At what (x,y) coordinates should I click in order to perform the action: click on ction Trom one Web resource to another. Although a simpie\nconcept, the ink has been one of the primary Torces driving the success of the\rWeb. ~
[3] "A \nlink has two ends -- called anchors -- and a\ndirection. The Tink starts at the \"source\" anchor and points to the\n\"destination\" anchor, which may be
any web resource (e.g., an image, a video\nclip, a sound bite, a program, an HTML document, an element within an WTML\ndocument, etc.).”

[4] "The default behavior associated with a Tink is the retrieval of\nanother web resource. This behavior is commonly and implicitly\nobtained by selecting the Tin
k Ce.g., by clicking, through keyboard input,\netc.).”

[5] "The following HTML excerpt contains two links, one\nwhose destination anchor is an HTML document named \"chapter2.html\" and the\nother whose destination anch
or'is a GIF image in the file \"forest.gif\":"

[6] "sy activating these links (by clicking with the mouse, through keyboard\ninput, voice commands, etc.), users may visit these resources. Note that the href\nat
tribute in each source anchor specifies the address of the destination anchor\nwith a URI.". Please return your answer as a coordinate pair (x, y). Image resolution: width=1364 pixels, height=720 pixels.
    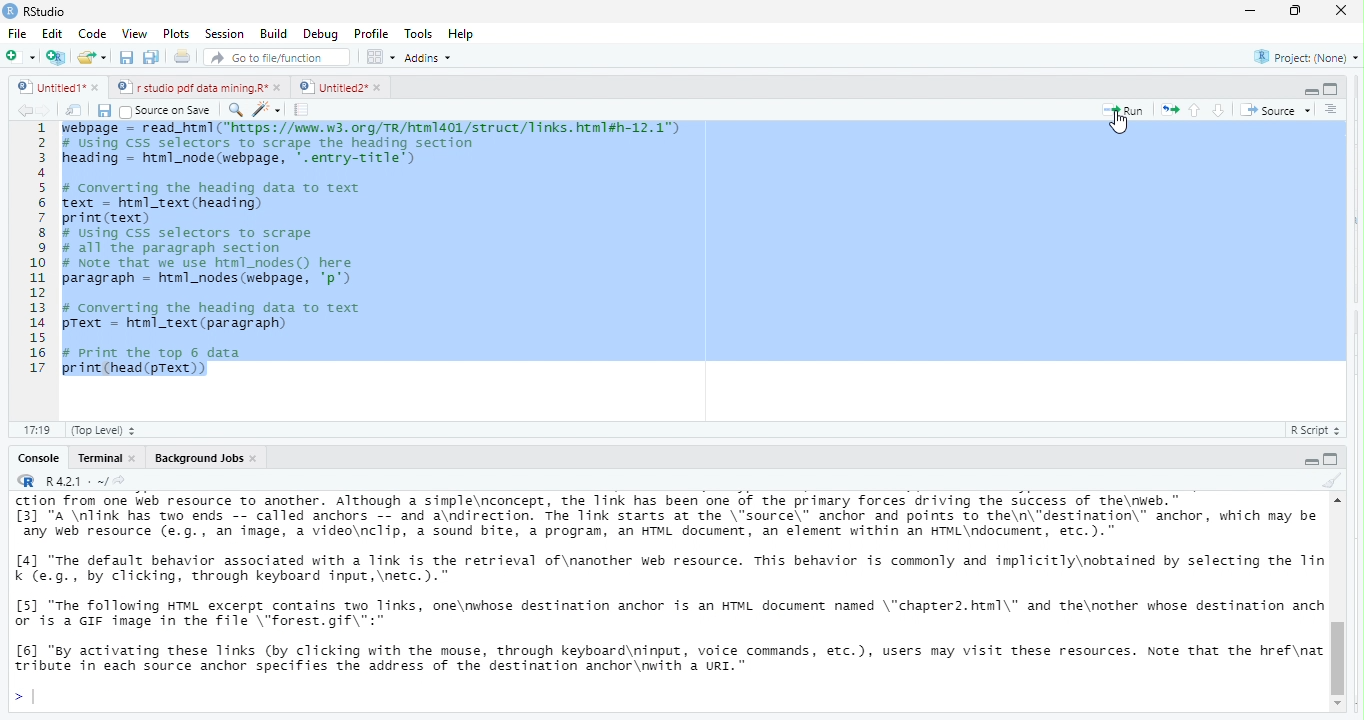
    Looking at the image, I should click on (664, 592).